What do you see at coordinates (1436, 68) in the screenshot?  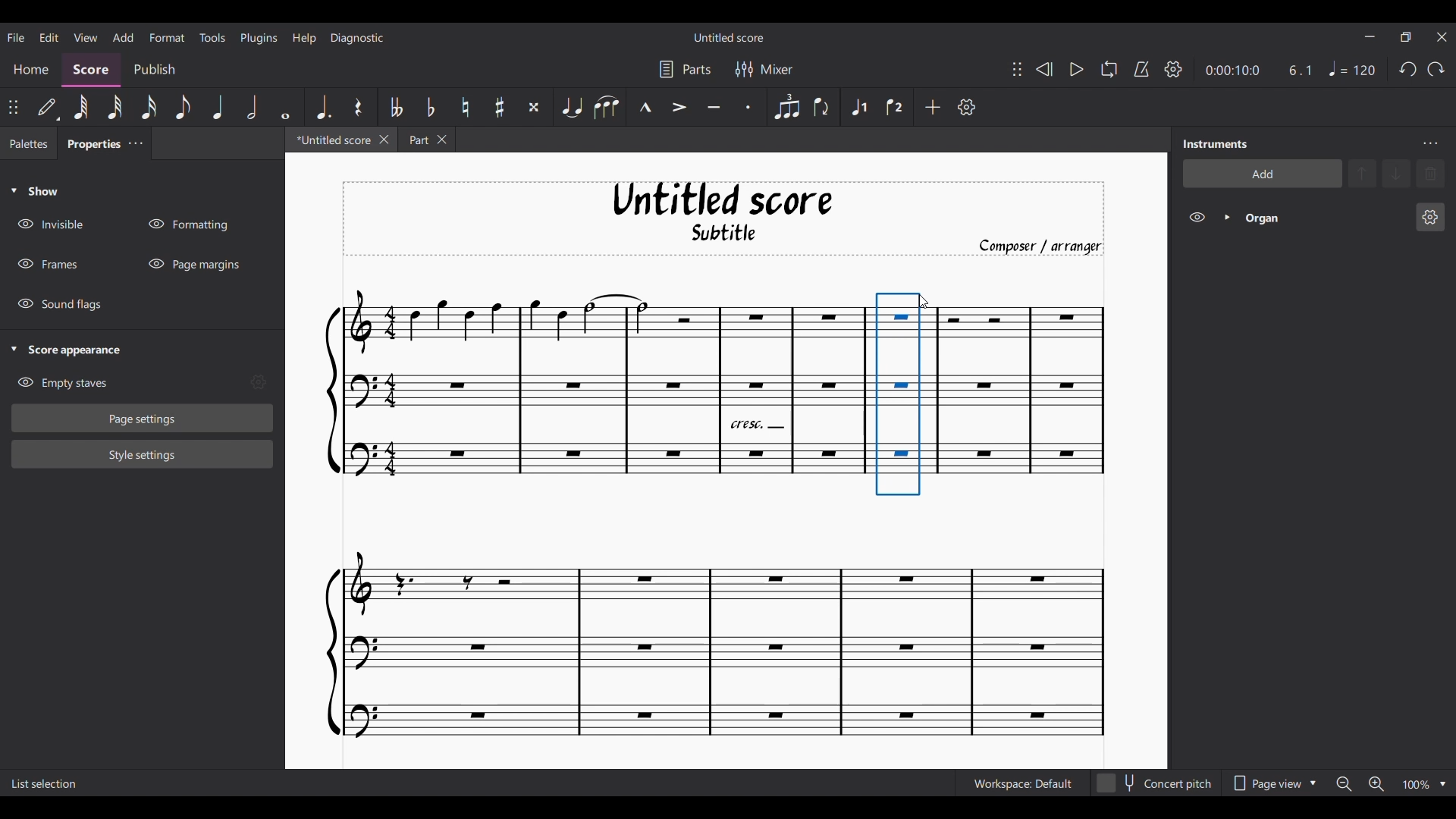 I see `Redo` at bounding box center [1436, 68].